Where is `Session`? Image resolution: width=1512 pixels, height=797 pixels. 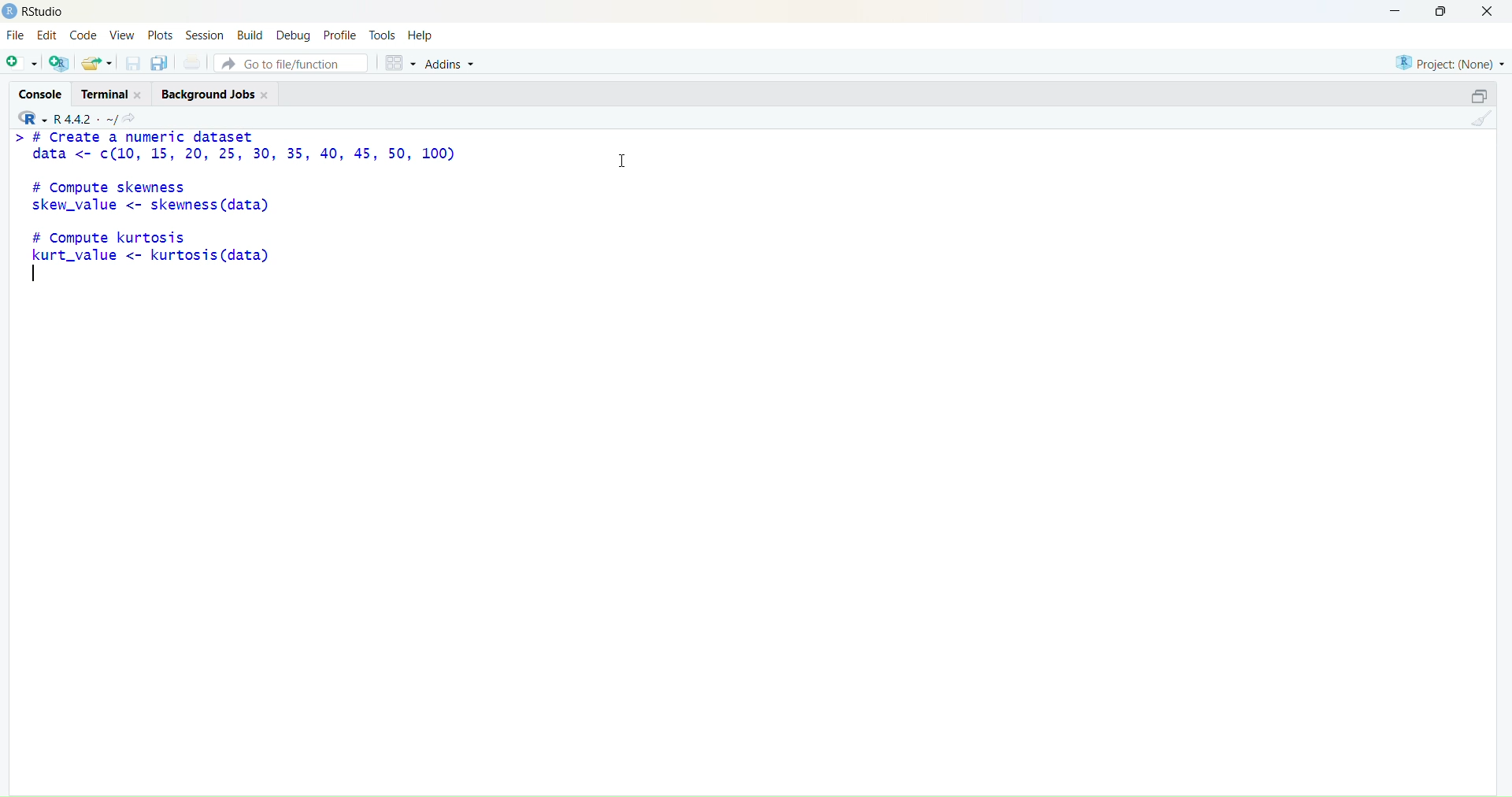
Session is located at coordinates (206, 35).